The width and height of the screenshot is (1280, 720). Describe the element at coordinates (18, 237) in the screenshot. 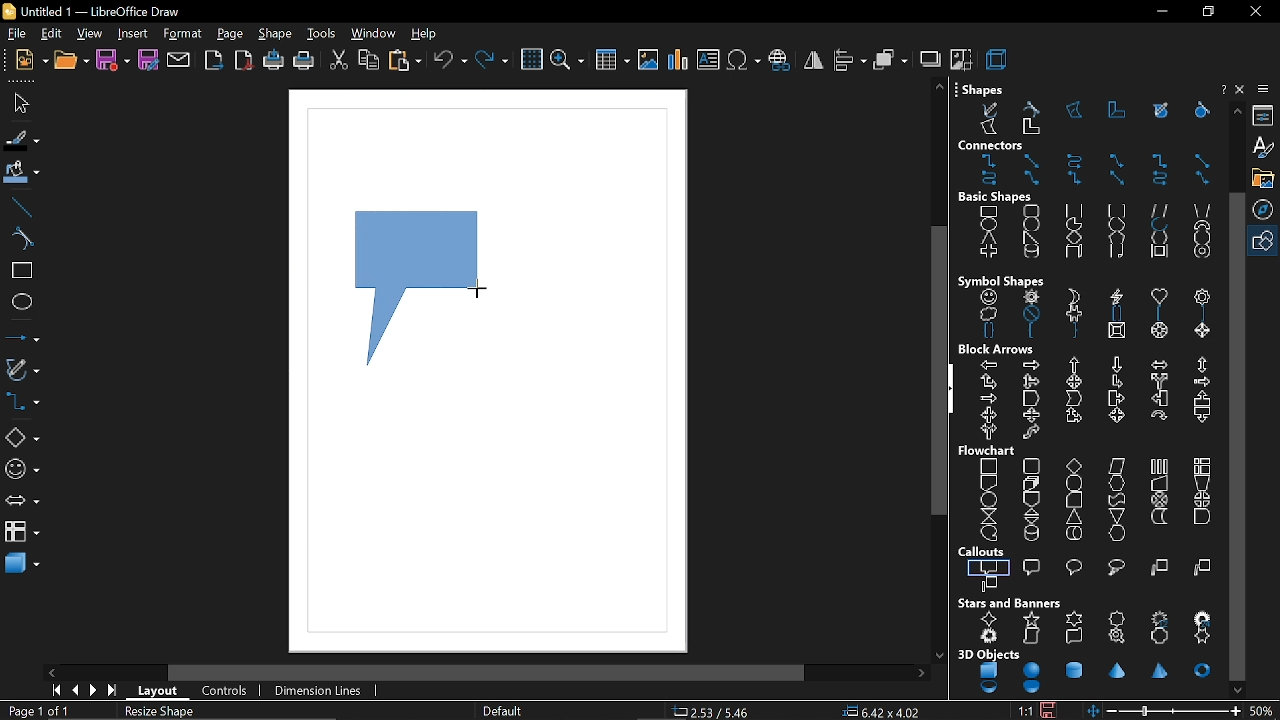

I see `curve` at that location.